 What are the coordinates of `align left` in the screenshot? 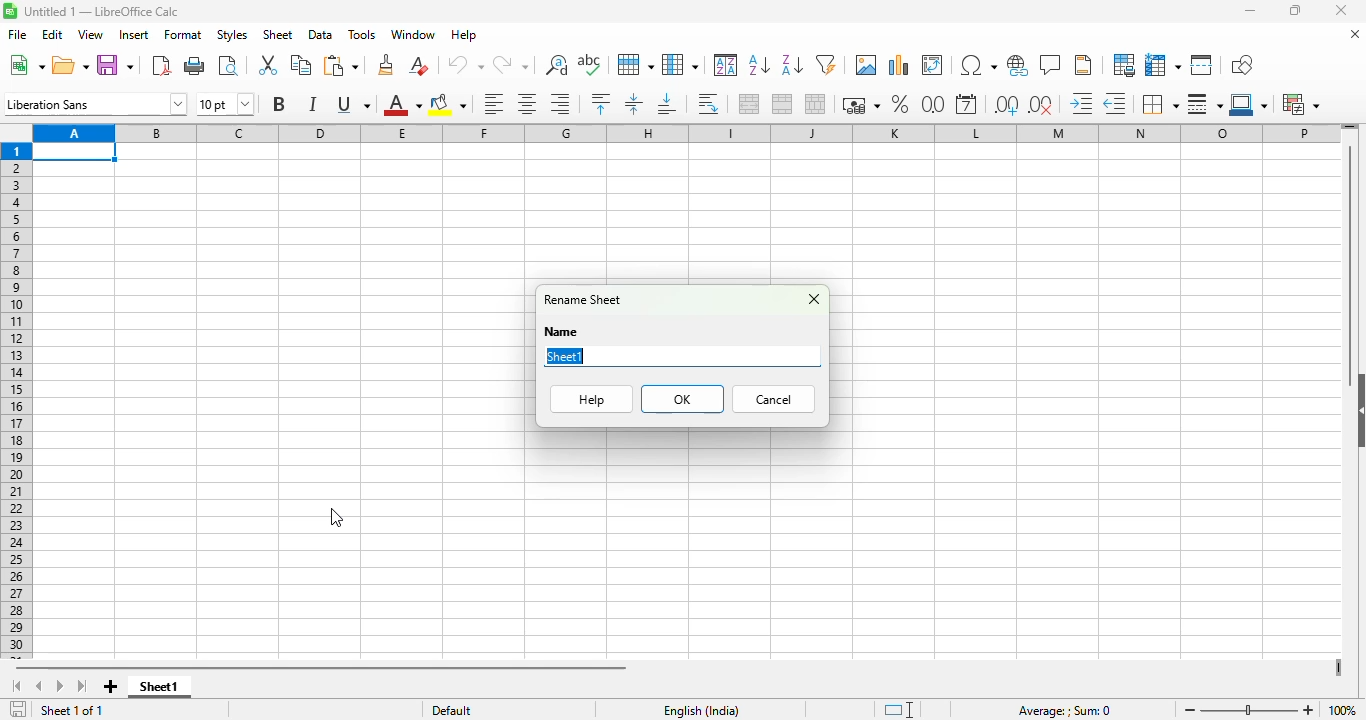 It's located at (495, 104).